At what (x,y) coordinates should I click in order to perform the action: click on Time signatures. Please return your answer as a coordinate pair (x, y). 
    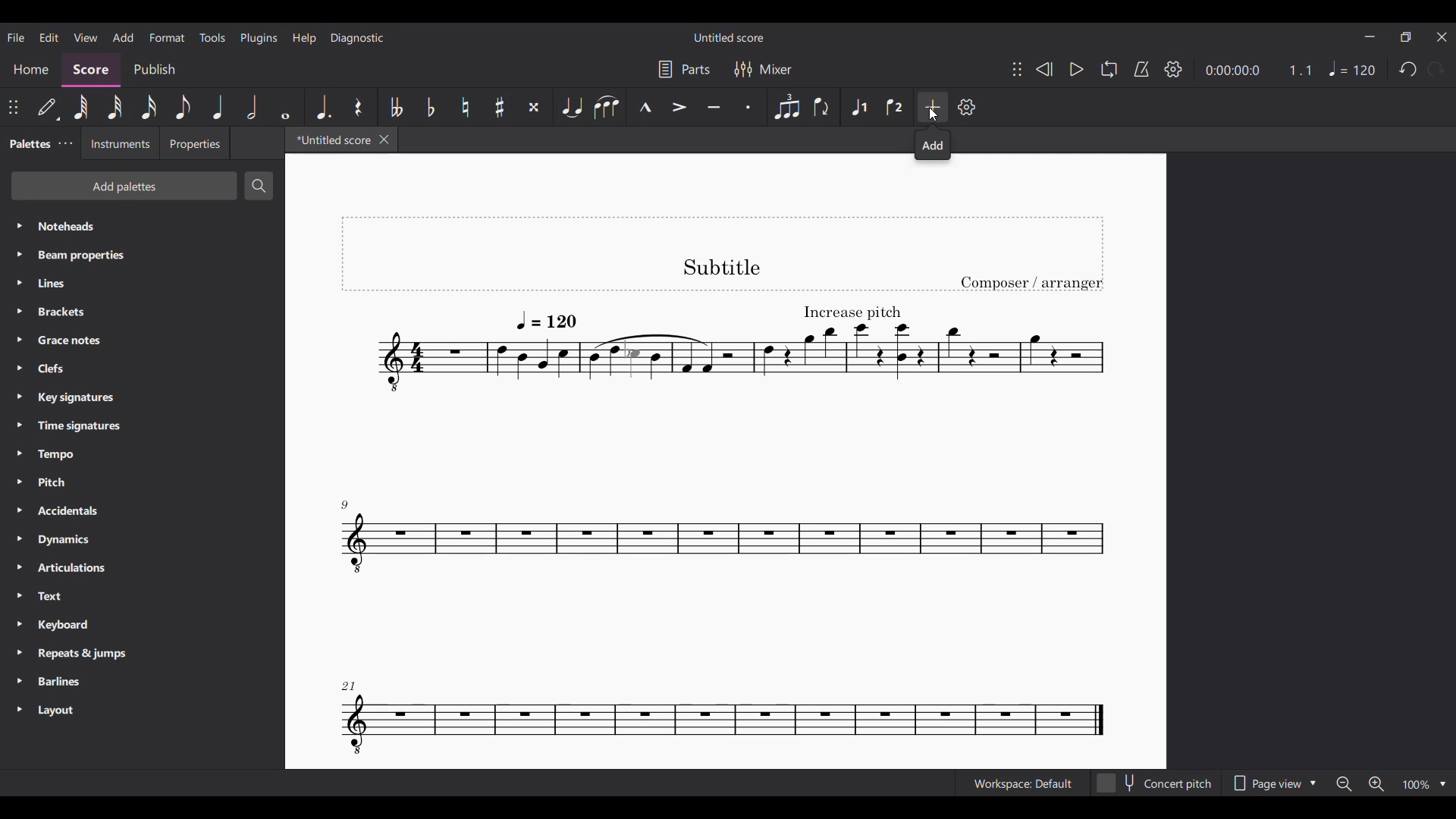
    Looking at the image, I should click on (142, 425).